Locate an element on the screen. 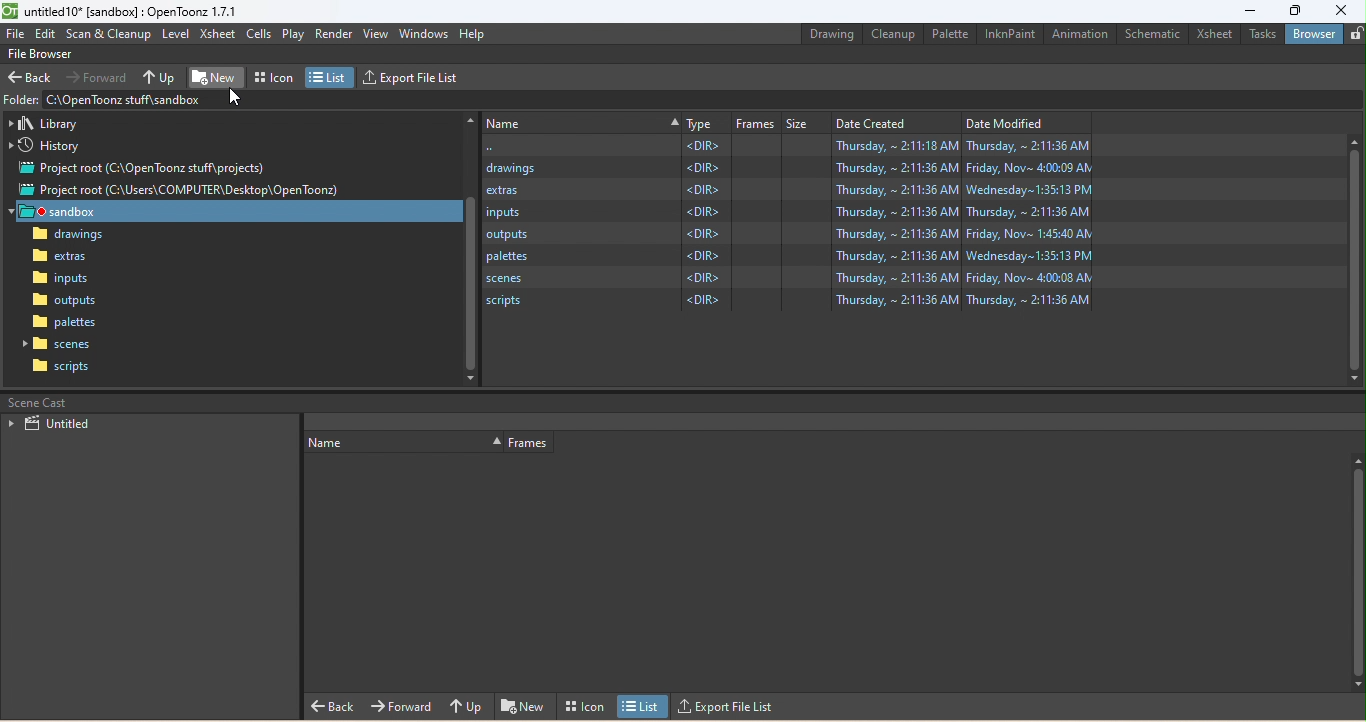  File name is located at coordinates (135, 11).